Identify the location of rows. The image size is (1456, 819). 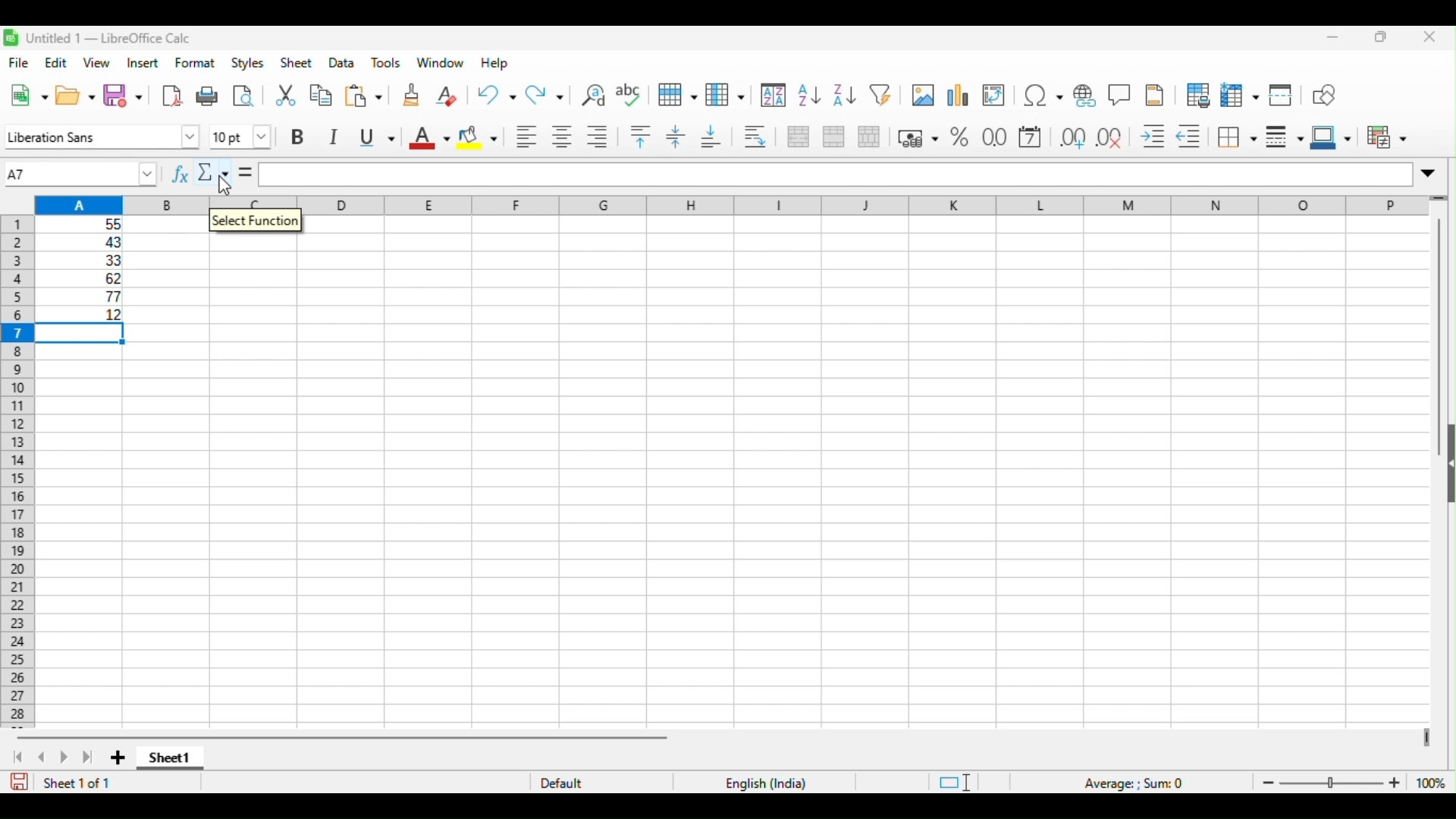
(678, 96).